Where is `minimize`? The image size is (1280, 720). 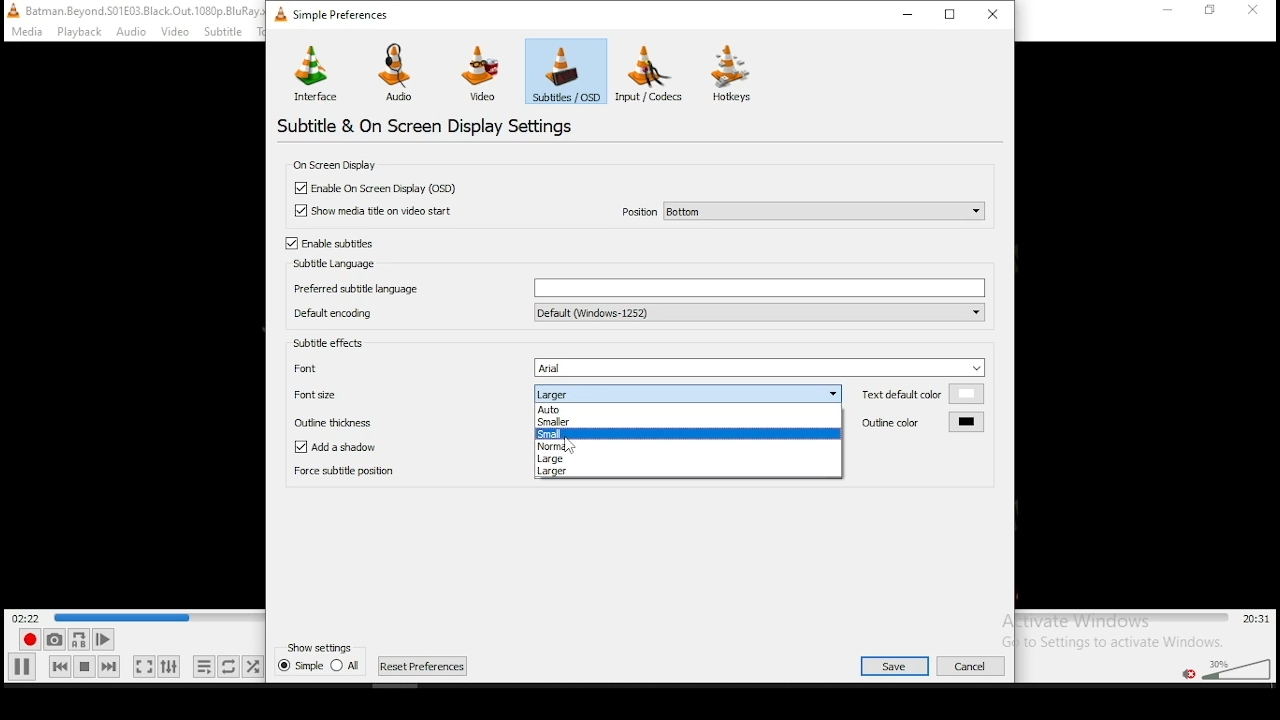
minimize is located at coordinates (912, 14).